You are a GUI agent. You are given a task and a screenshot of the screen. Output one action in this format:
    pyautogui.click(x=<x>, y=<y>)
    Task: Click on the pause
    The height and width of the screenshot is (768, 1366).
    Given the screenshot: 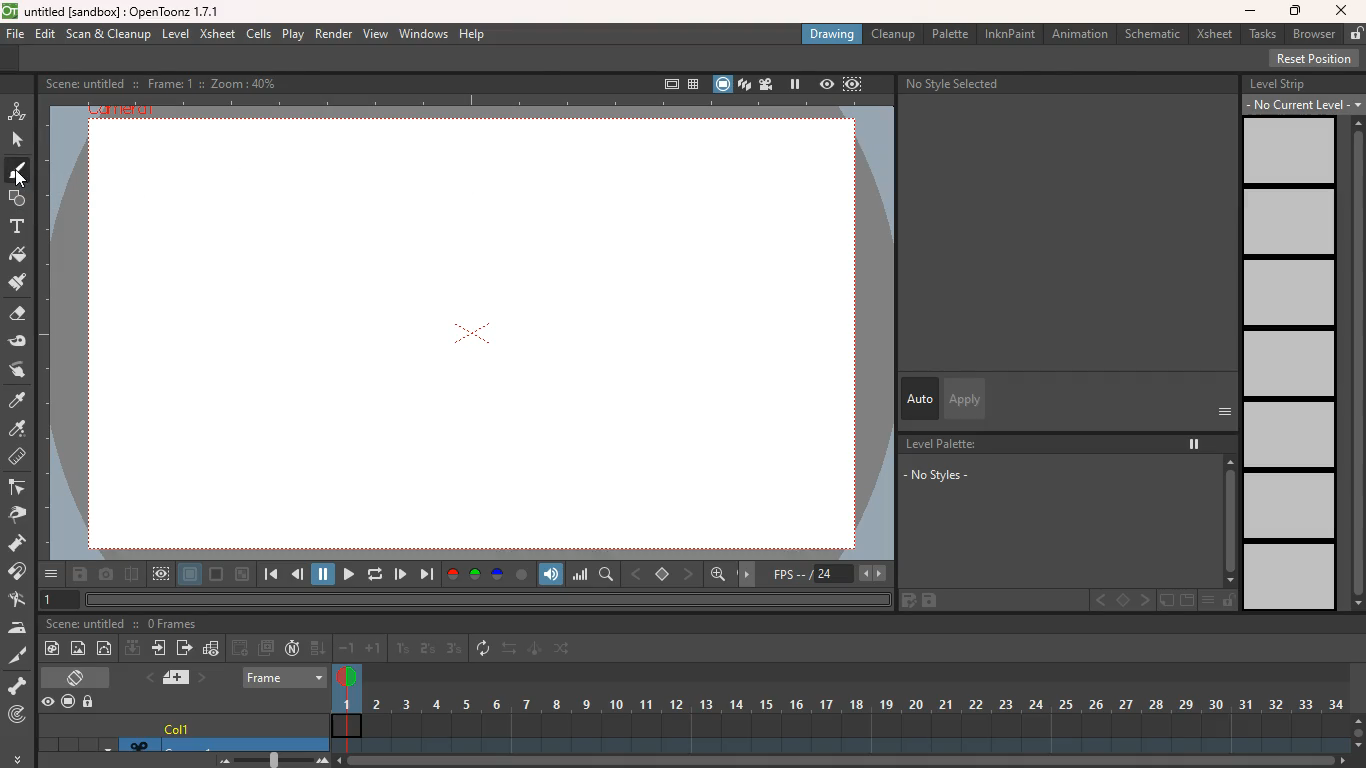 What is the action you would take?
    pyautogui.click(x=794, y=84)
    